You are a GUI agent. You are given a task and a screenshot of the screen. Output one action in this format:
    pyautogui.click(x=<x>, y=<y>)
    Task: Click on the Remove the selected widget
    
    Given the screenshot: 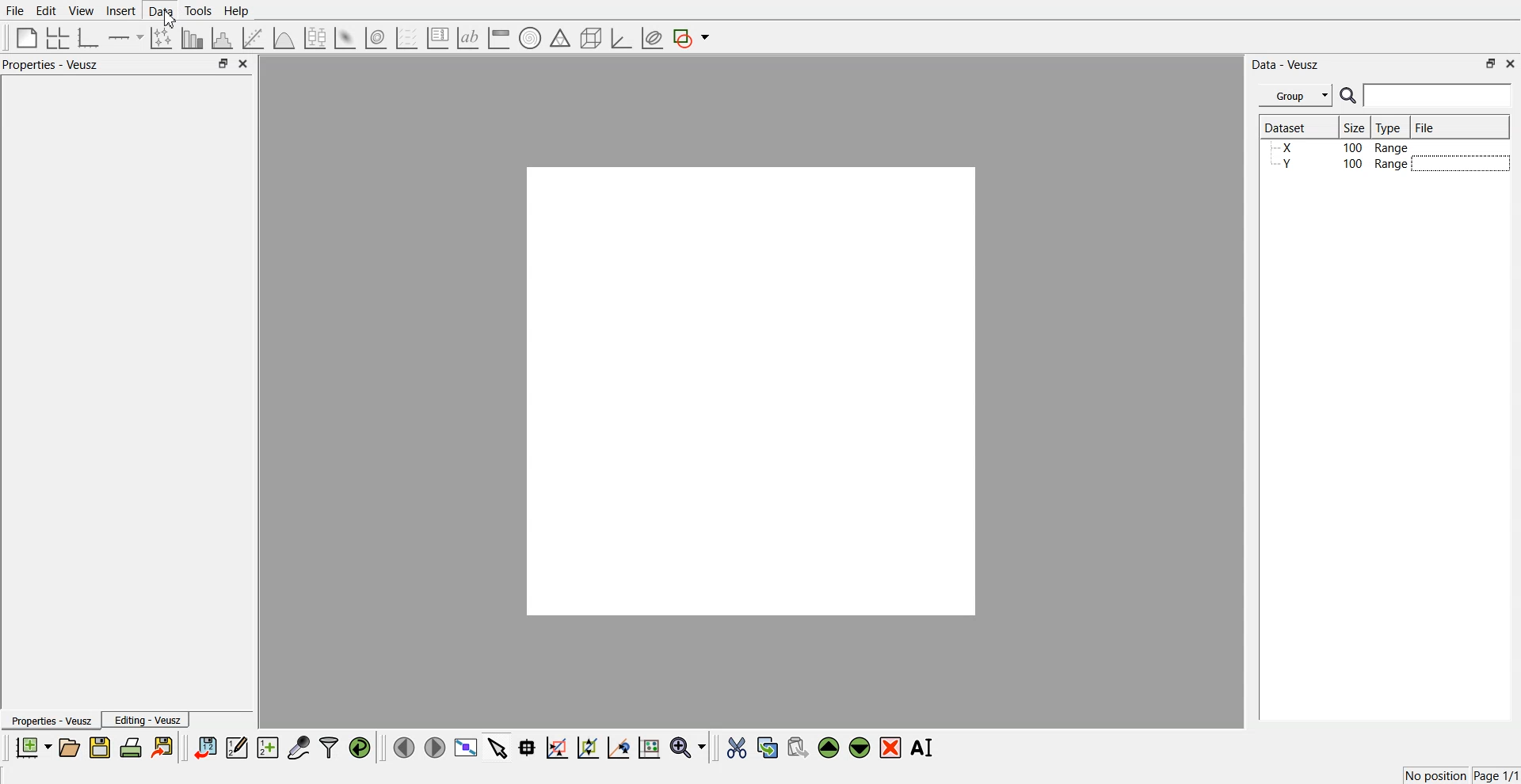 What is the action you would take?
    pyautogui.click(x=890, y=748)
    